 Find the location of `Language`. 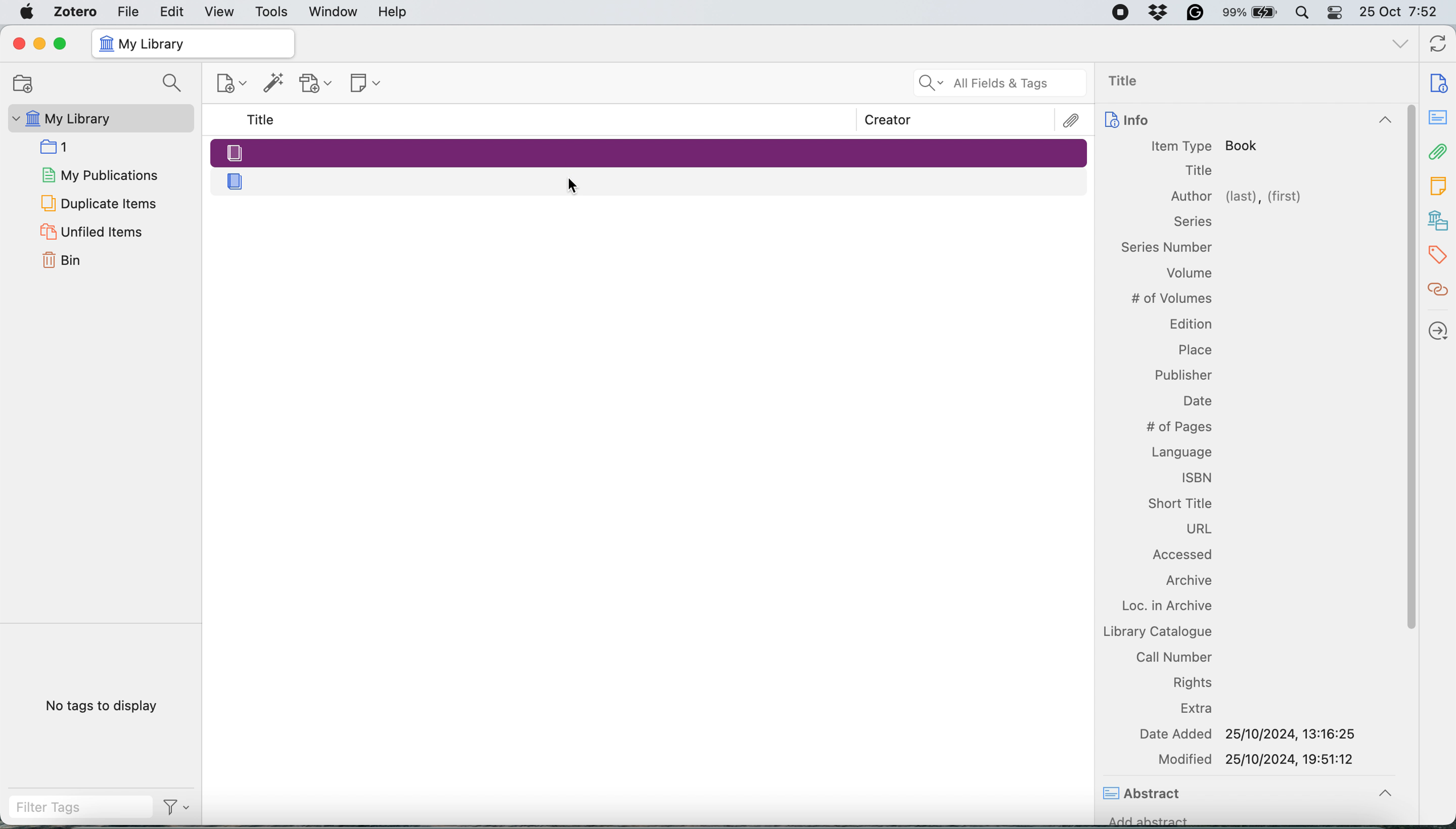

Language is located at coordinates (1181, 450).